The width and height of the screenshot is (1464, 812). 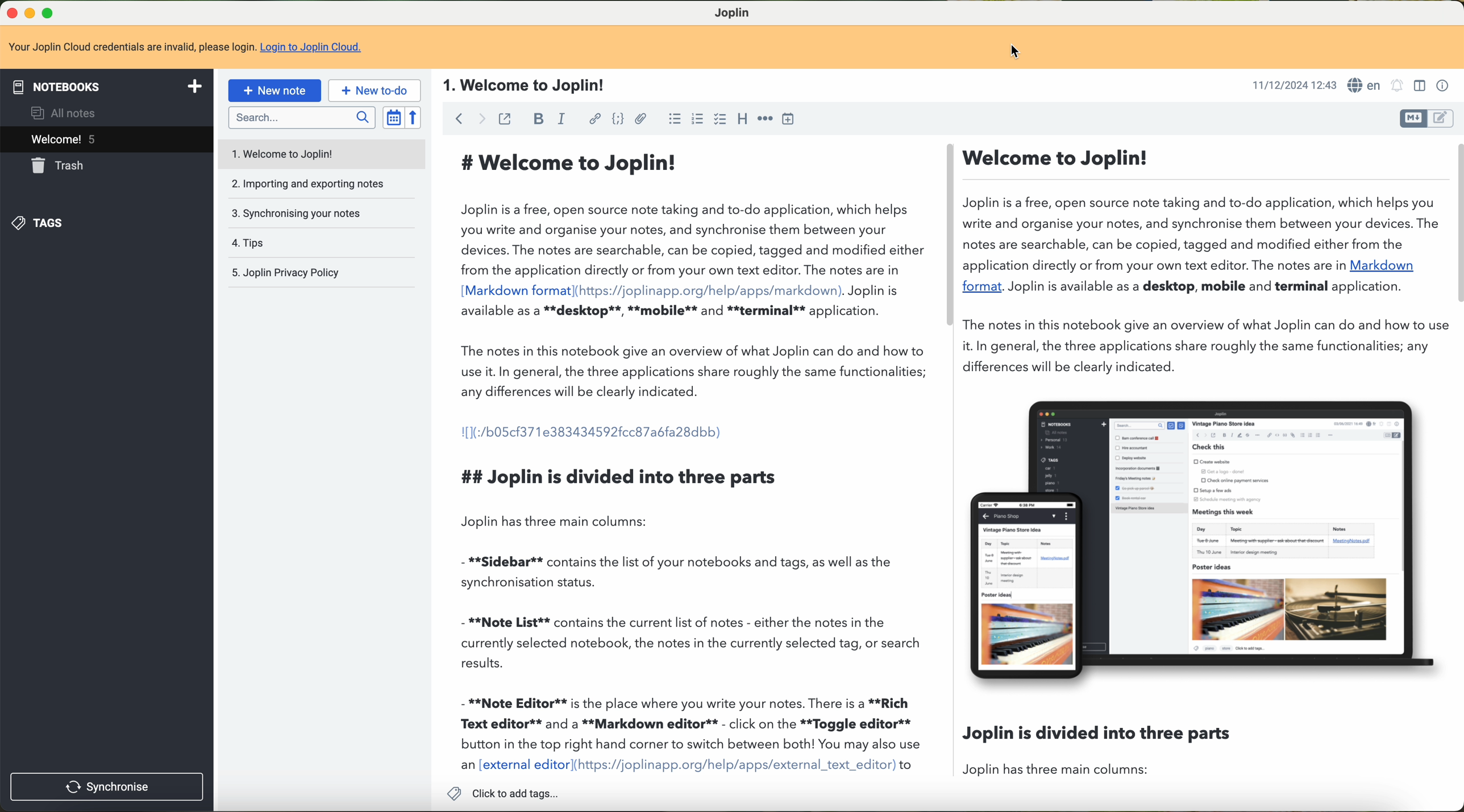 I want to click on info properties, so click(x=1445, y=86).